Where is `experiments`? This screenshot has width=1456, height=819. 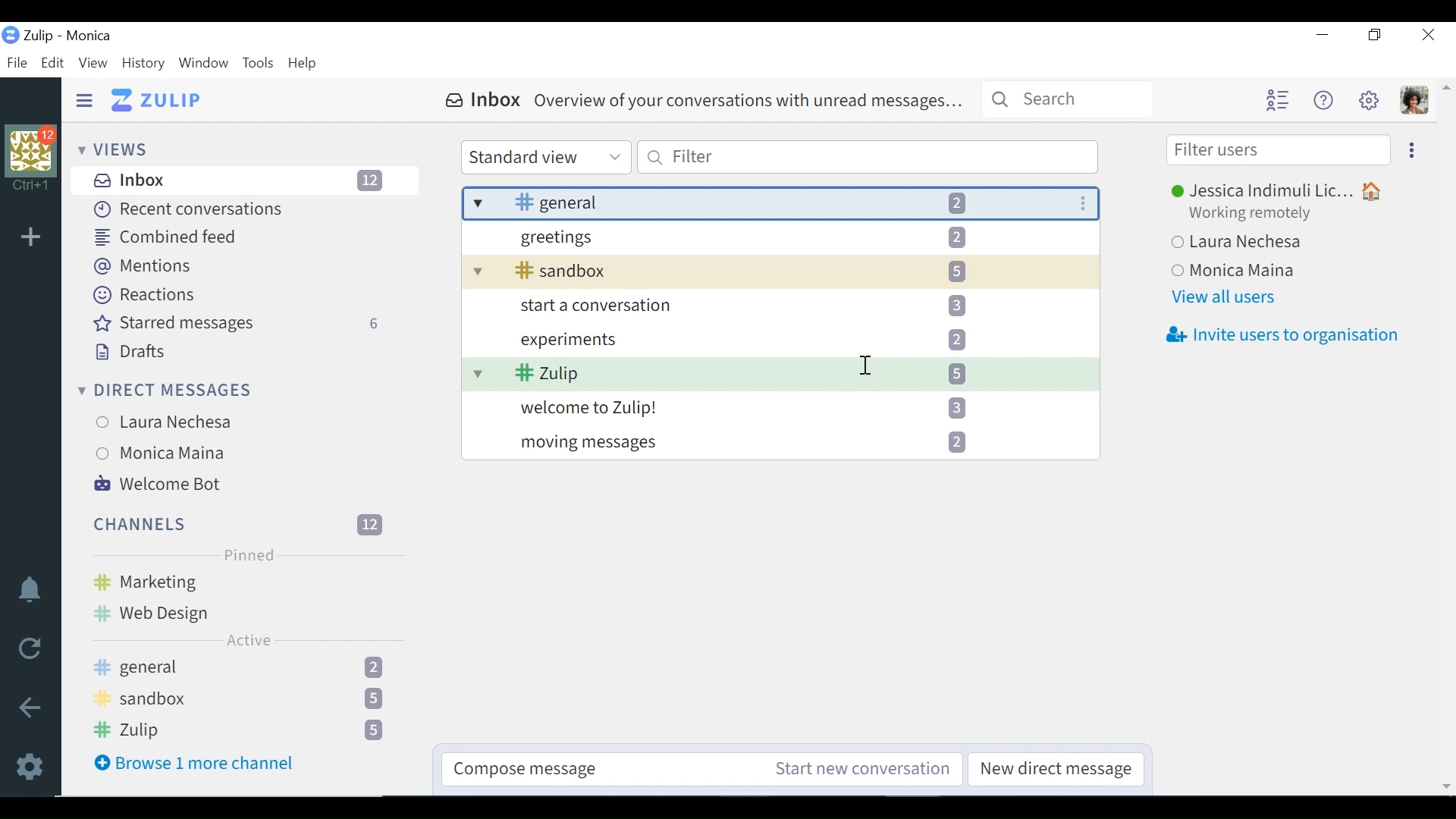
experiments is located at coordinates (762, 338).